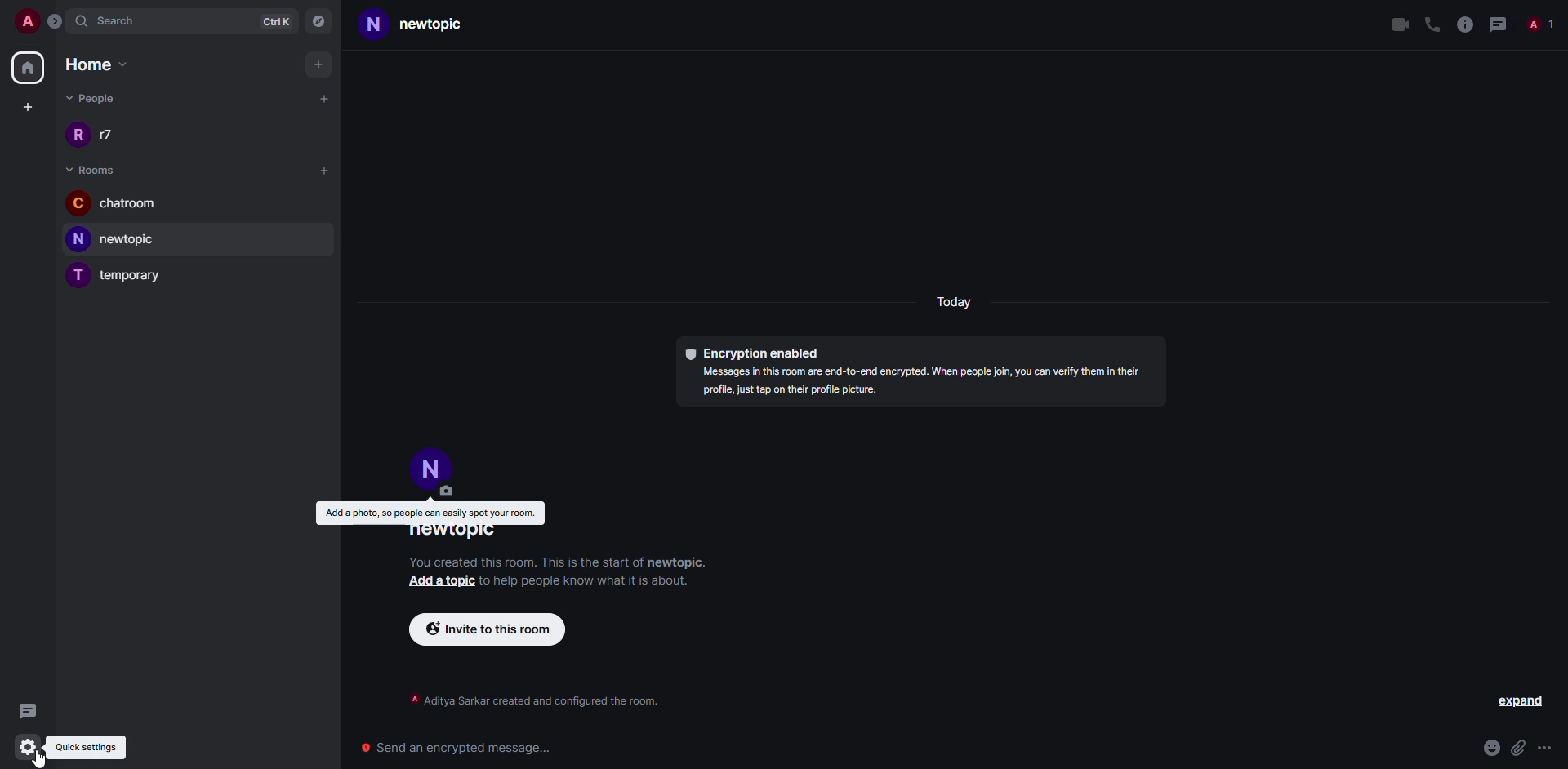 This screenshot has height=769, width=1568. What do you see at coordinates (25, 22) in the screenshot?
I see `account` at bounding box center [25, 22].